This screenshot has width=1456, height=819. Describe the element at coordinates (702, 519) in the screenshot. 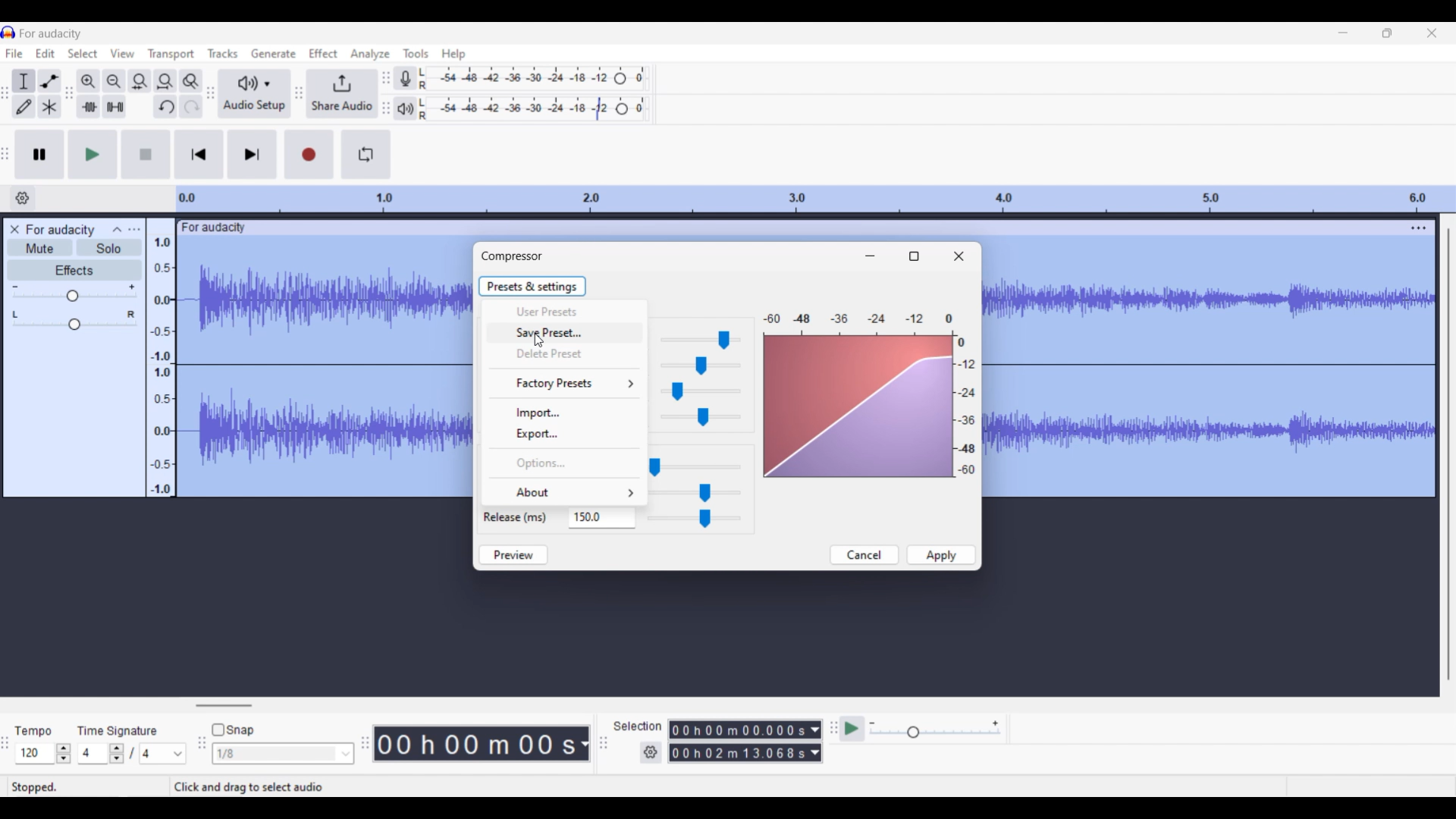

I see `Release slider` at that location.